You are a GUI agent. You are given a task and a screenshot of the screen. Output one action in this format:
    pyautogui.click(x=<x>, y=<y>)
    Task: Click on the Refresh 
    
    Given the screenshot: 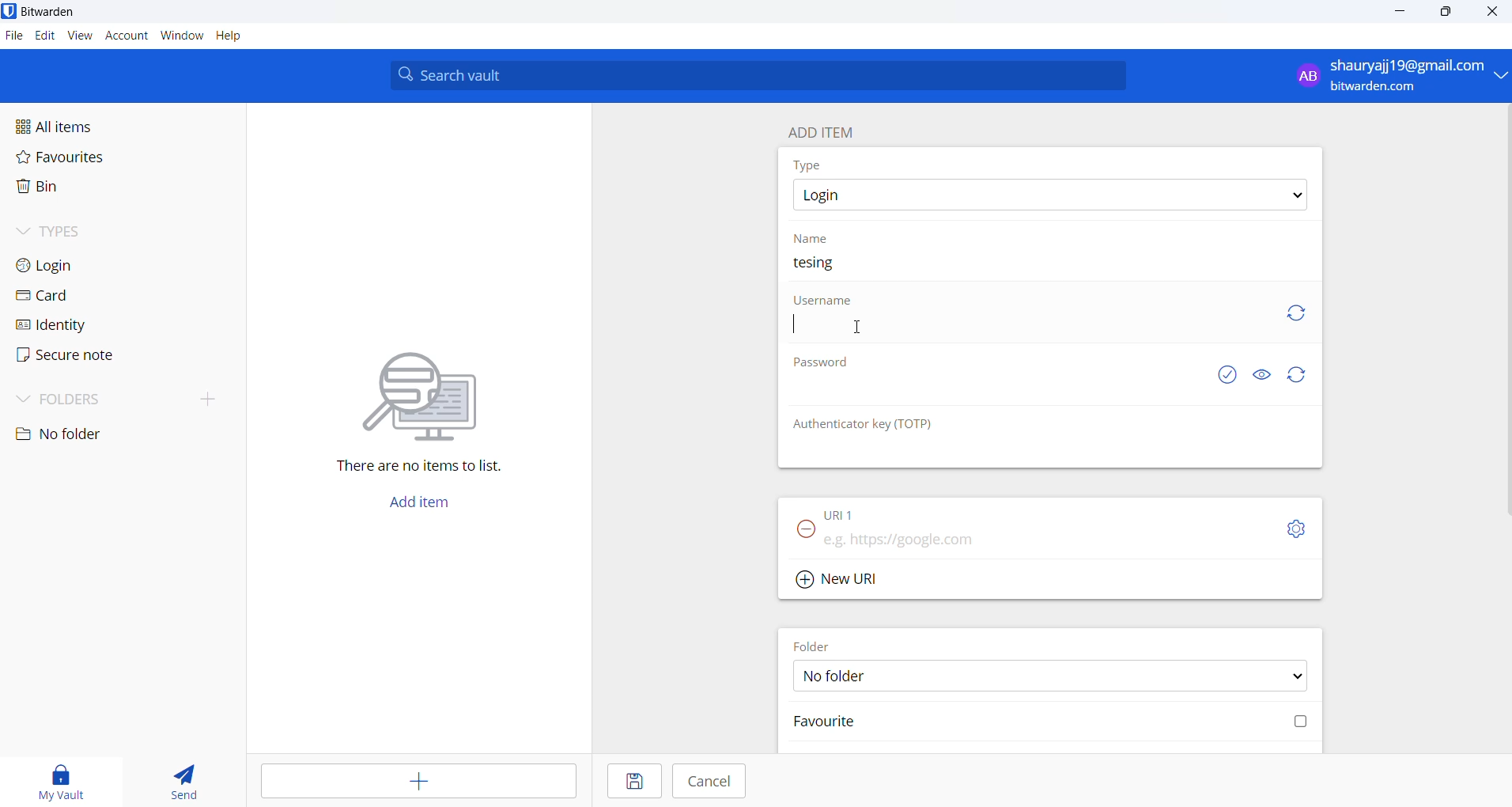 What is the action you would take?
    pyautogui.click(x=1304, y=316)
    